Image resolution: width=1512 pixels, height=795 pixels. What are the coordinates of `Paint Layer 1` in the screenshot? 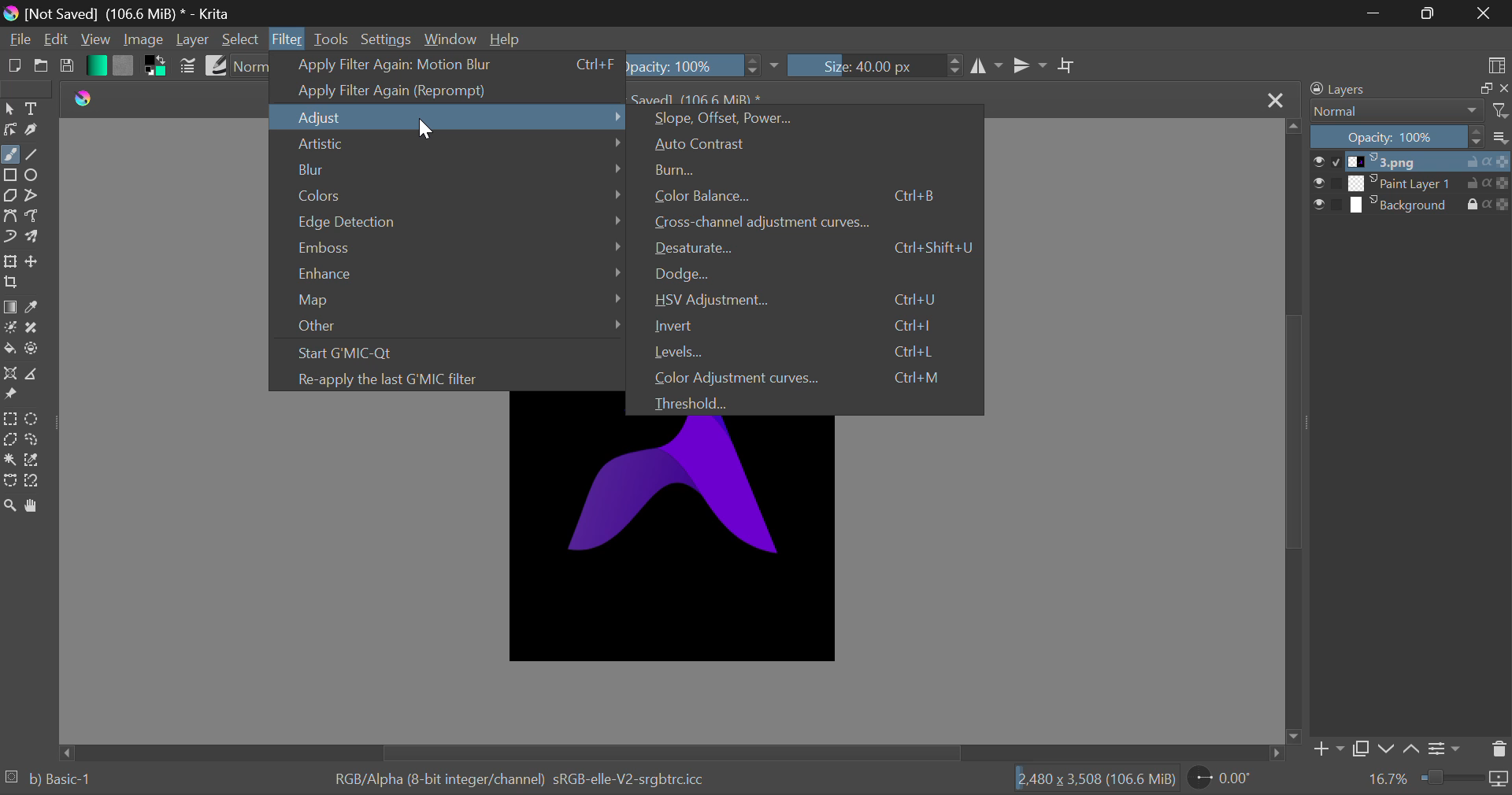 It's located at (1411, 183).